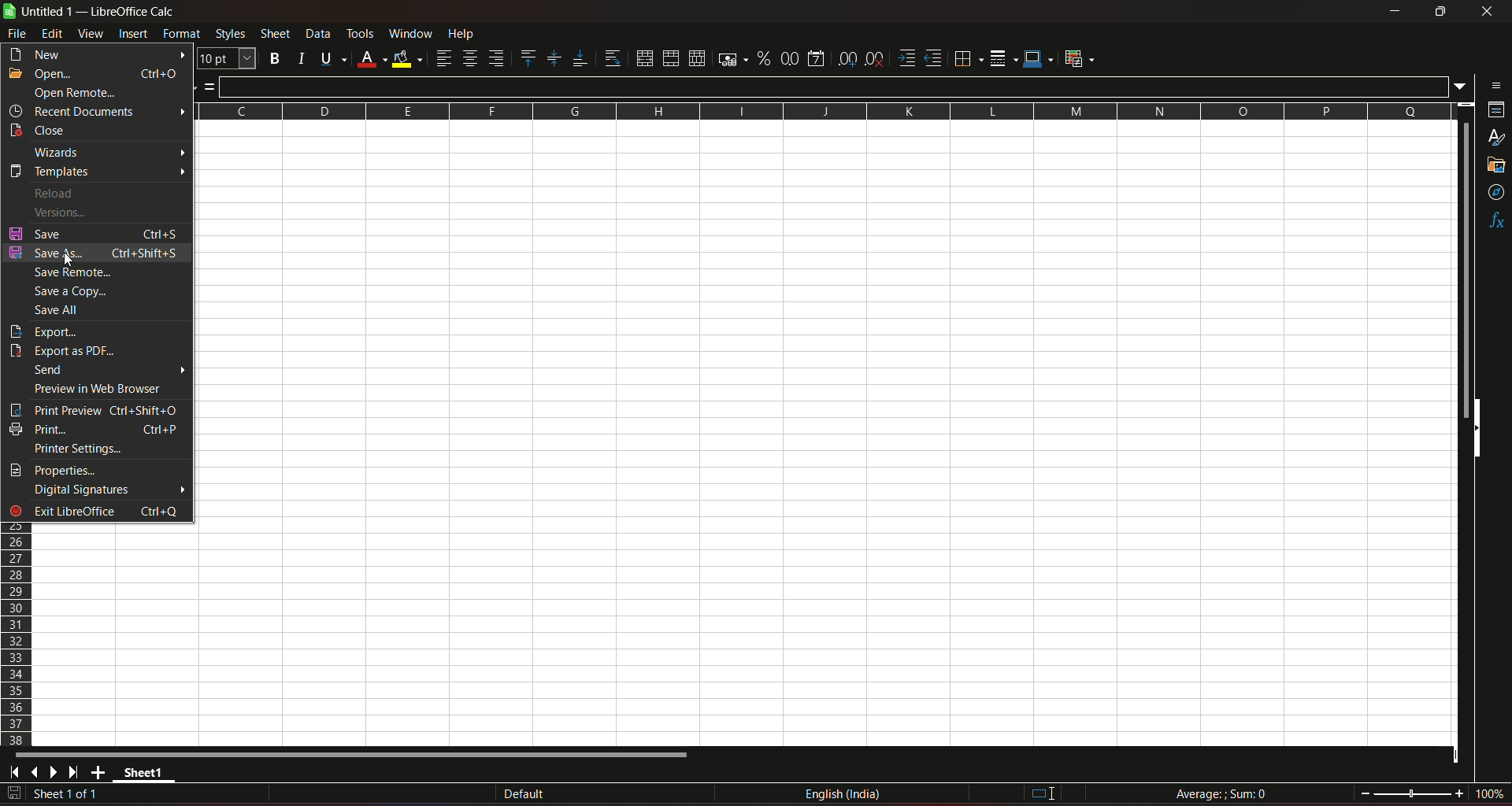 This screenshot has height=806, width=1512. Describe the element at coordinates (80, 449) in the screenshot. I see `printer settings` at that location.